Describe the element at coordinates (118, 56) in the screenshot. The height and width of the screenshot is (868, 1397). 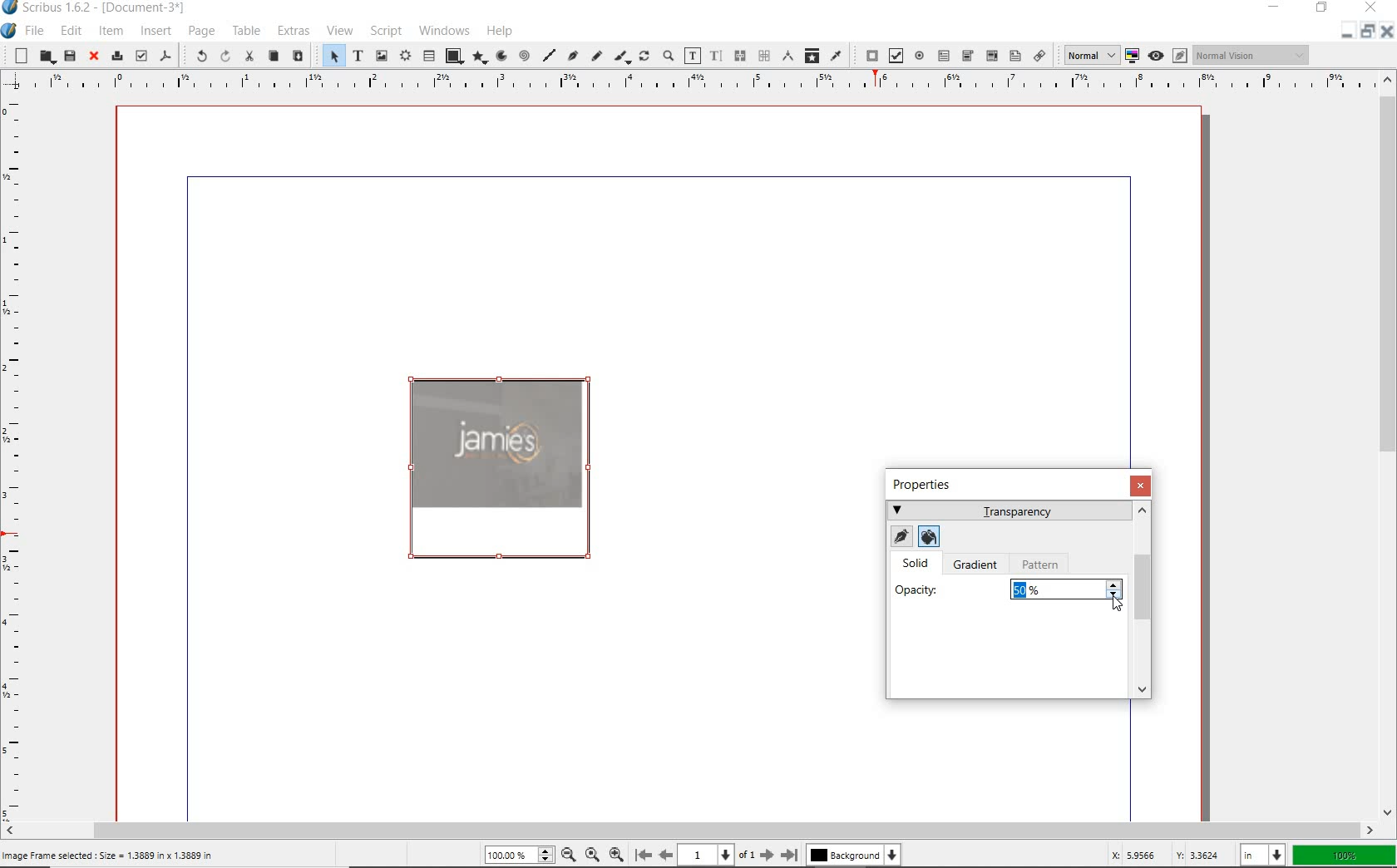
I see `print` at that location.